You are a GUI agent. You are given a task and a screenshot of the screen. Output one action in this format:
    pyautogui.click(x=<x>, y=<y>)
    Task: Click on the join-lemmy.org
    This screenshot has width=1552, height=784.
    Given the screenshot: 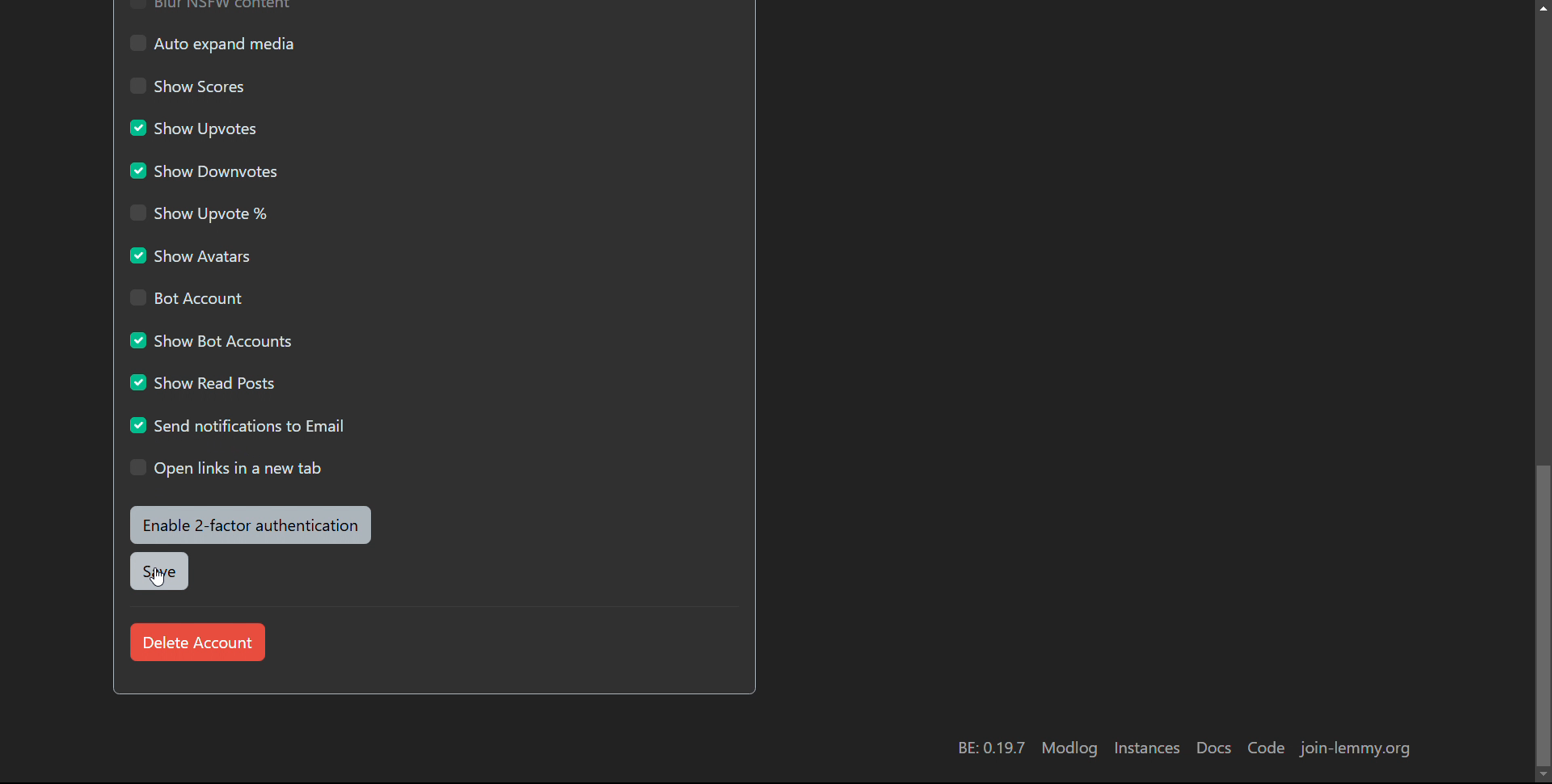 What is the action you would take?
    pyautogui.click(x=1356, y=748)
    